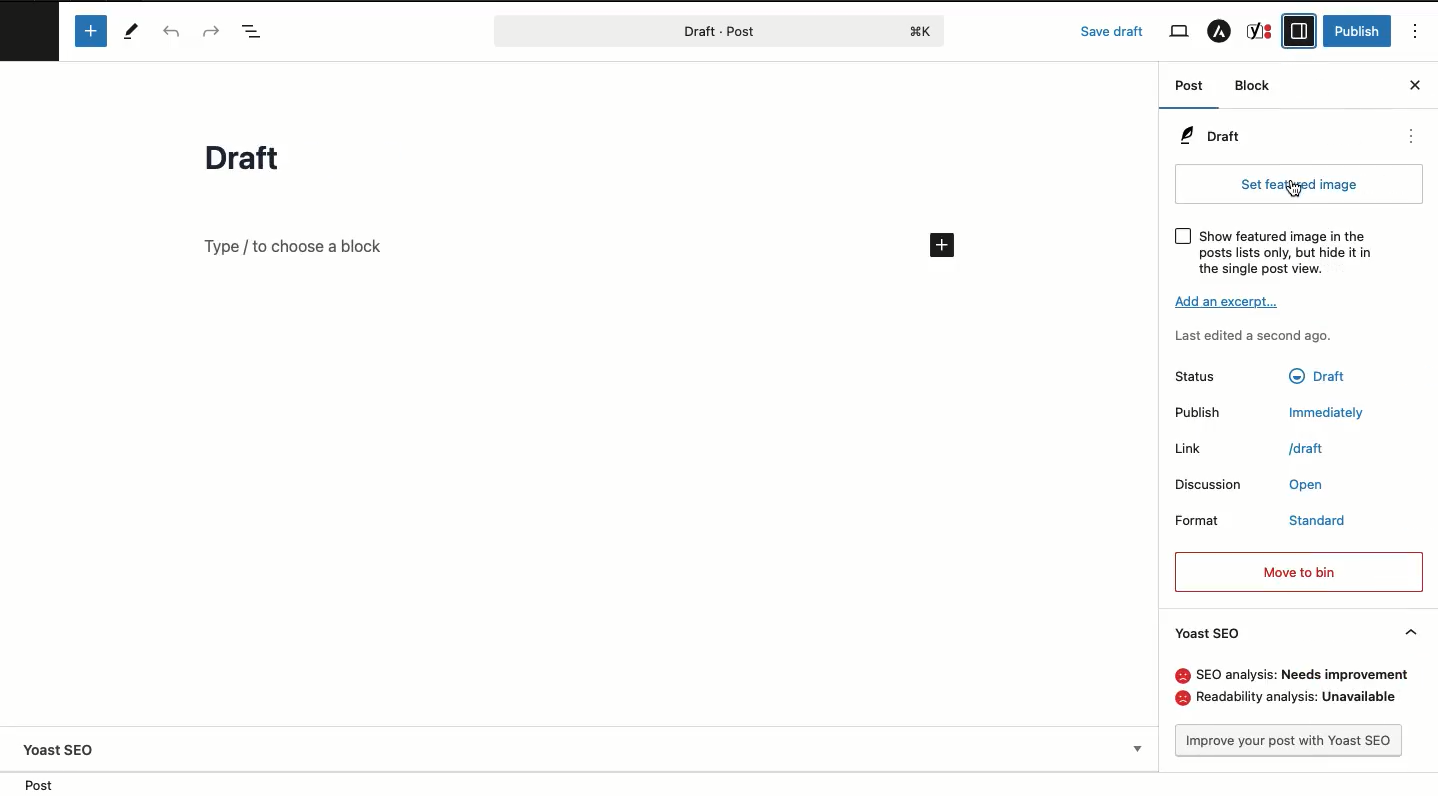 The height and width of the screenshot is (796, 1438). I want to click on Featured image, so click(1299, 185).